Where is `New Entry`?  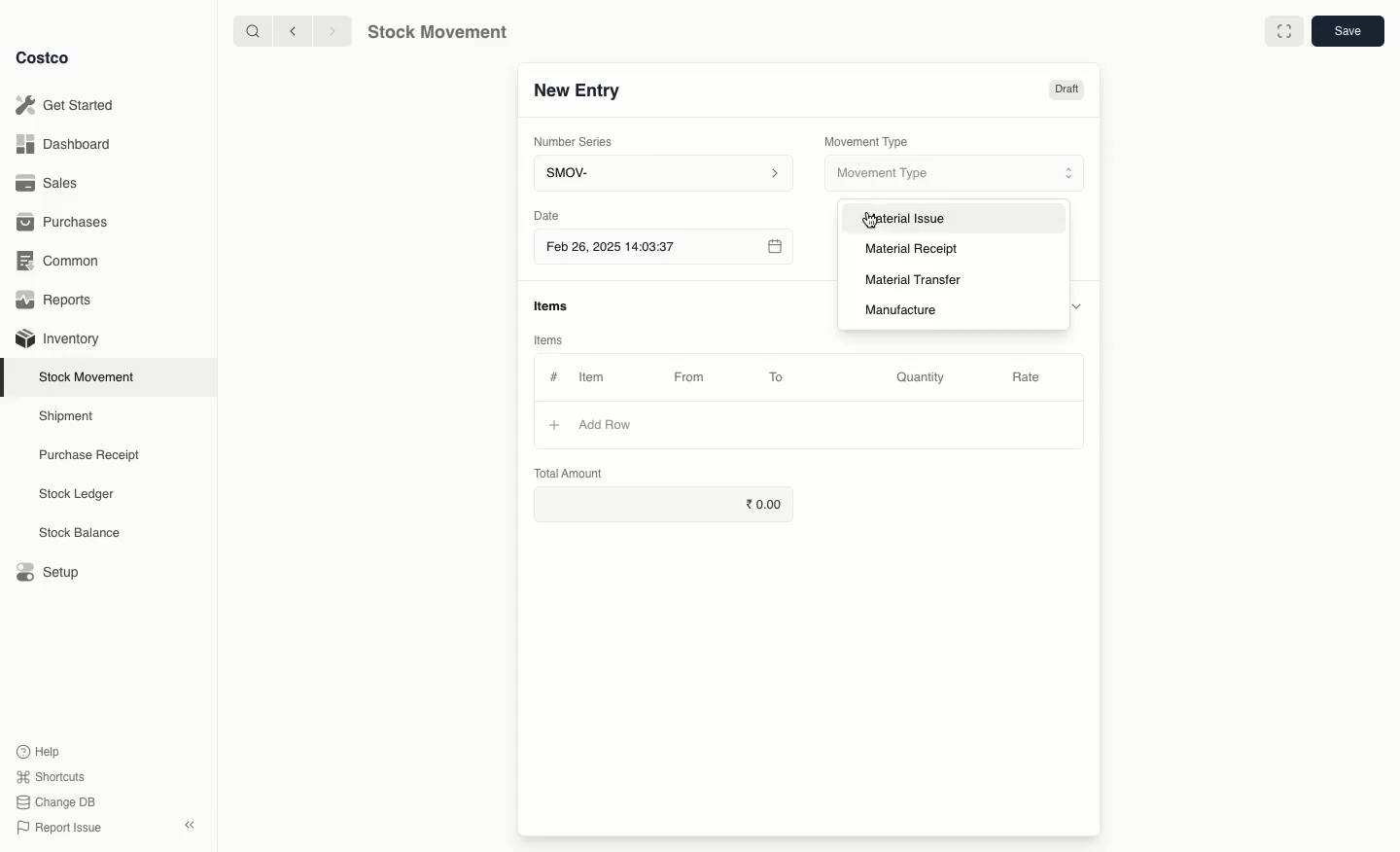 New Entry is located at coordinates (579, 94).